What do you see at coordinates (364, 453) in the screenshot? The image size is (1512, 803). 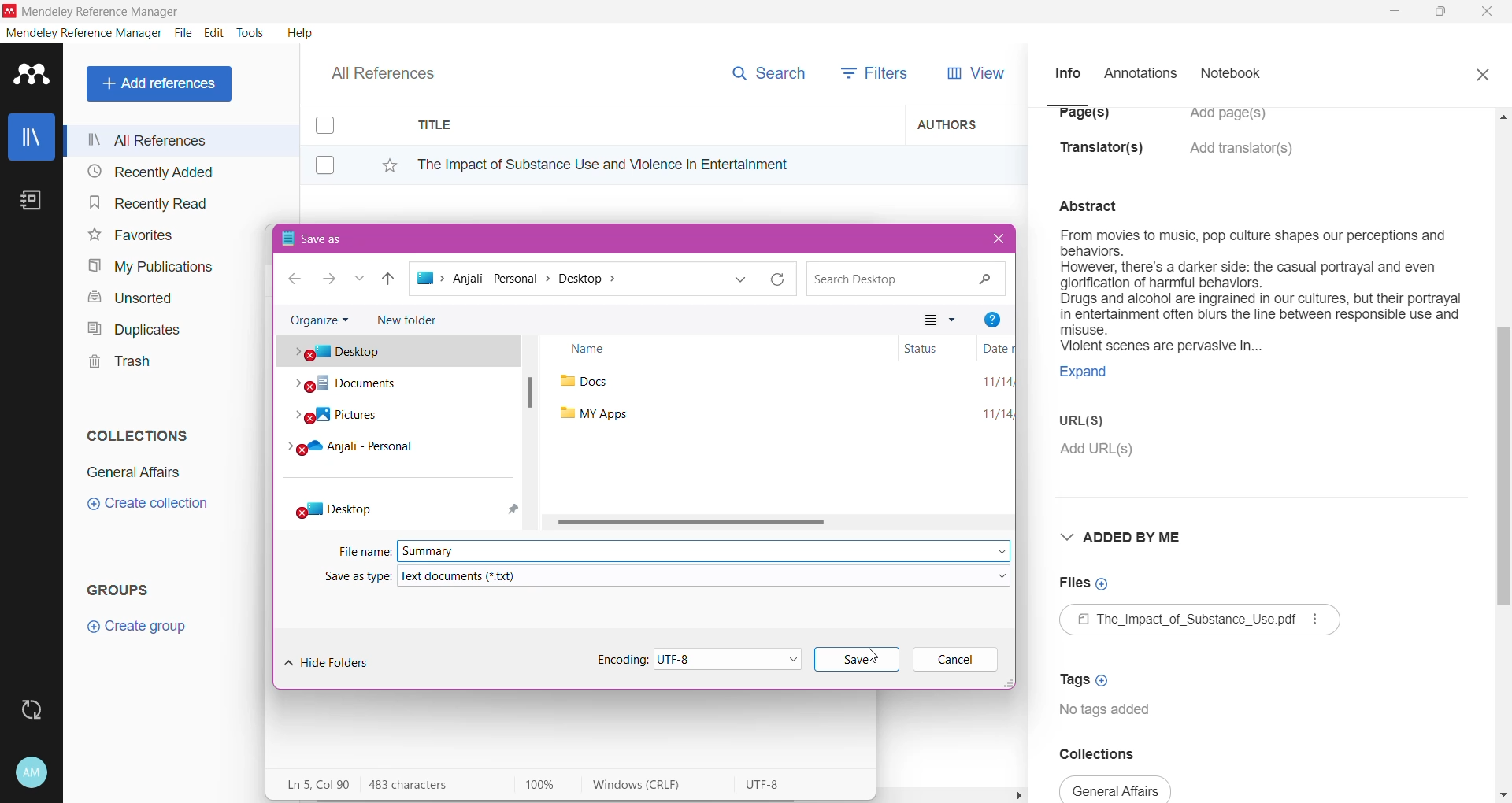 I see `Cloud folder` at bounding box center [364, 453].